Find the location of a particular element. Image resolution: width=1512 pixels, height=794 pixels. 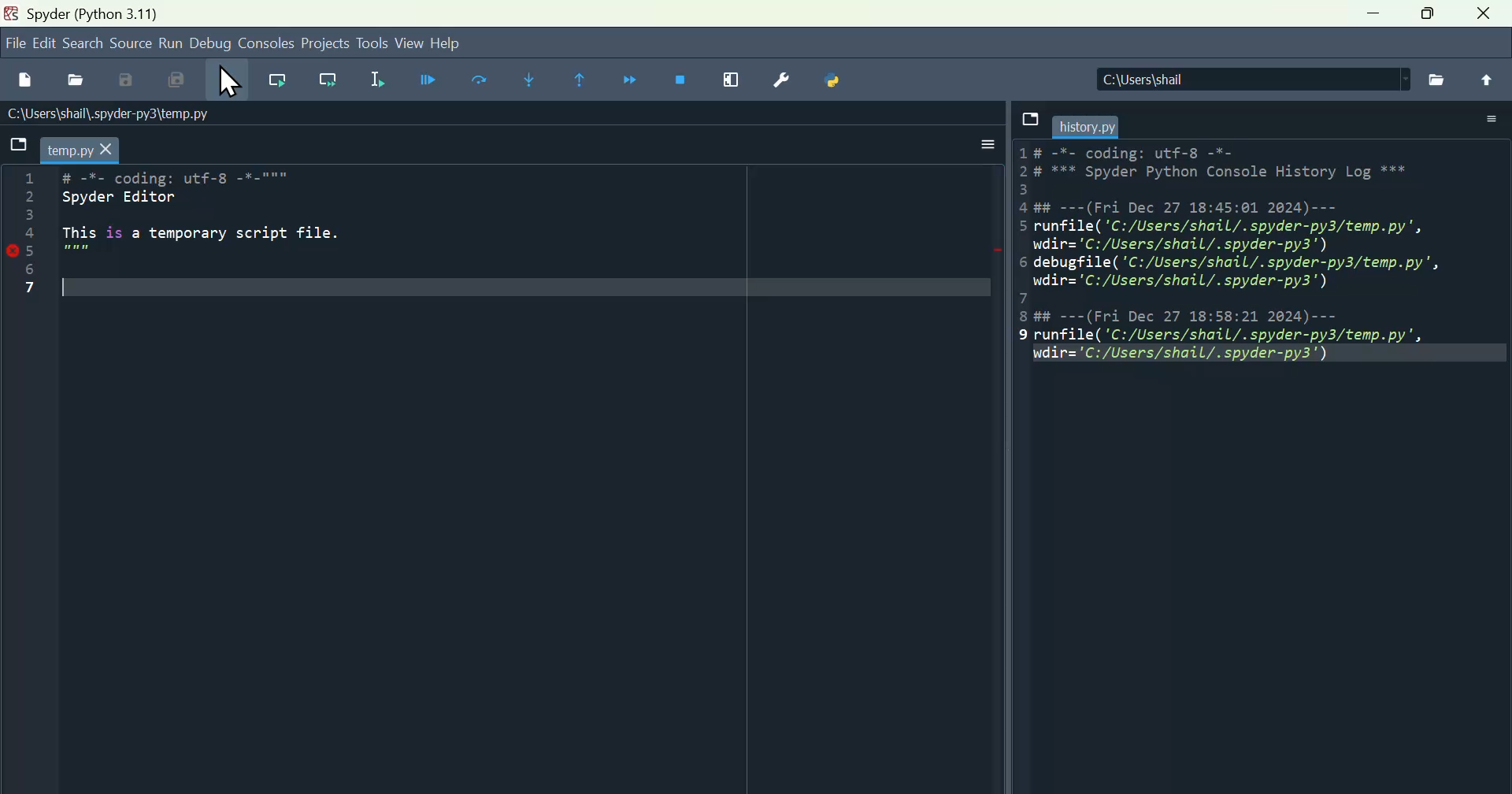

search is located at coordinates (81, 44).